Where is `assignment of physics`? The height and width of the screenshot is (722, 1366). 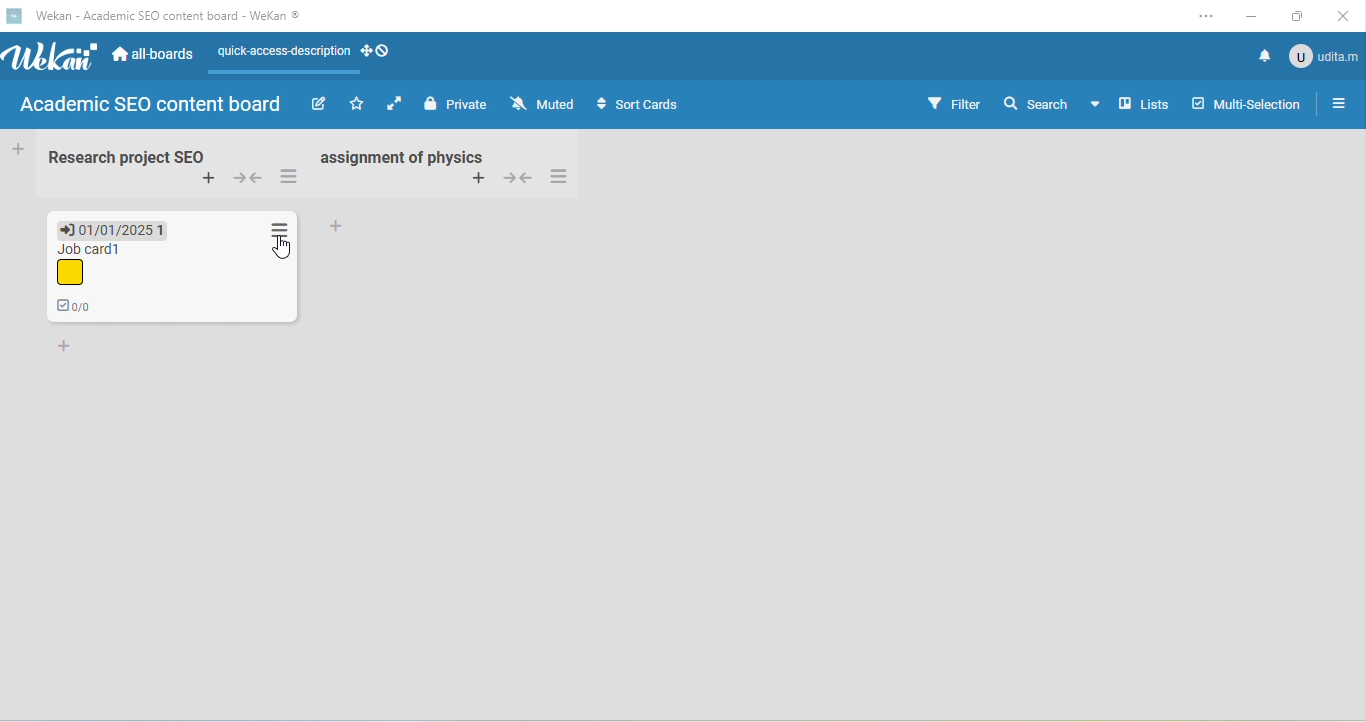
assignment of physics is located at coordinates (400, 156).